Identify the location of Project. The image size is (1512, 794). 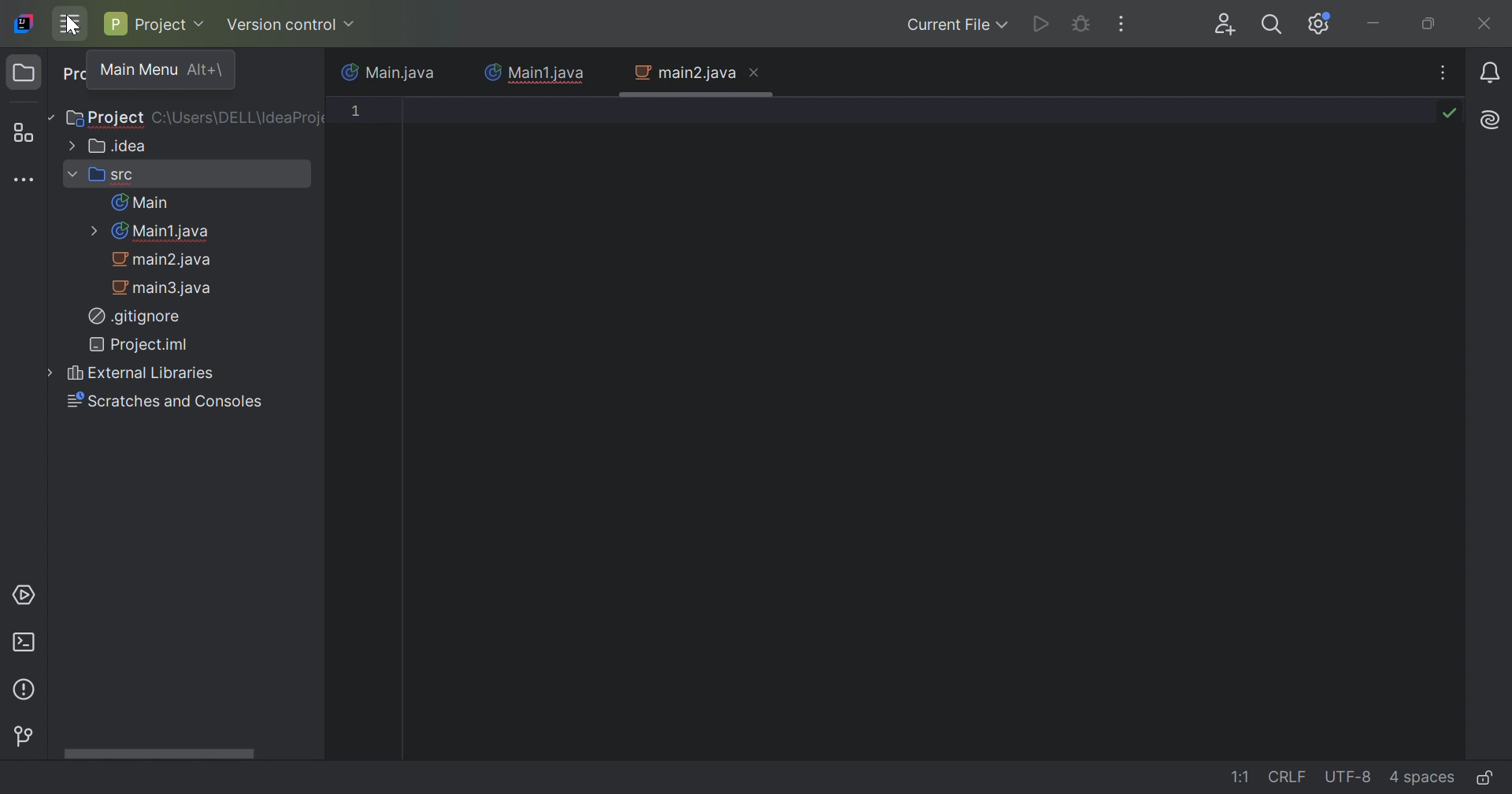
(106, 117).